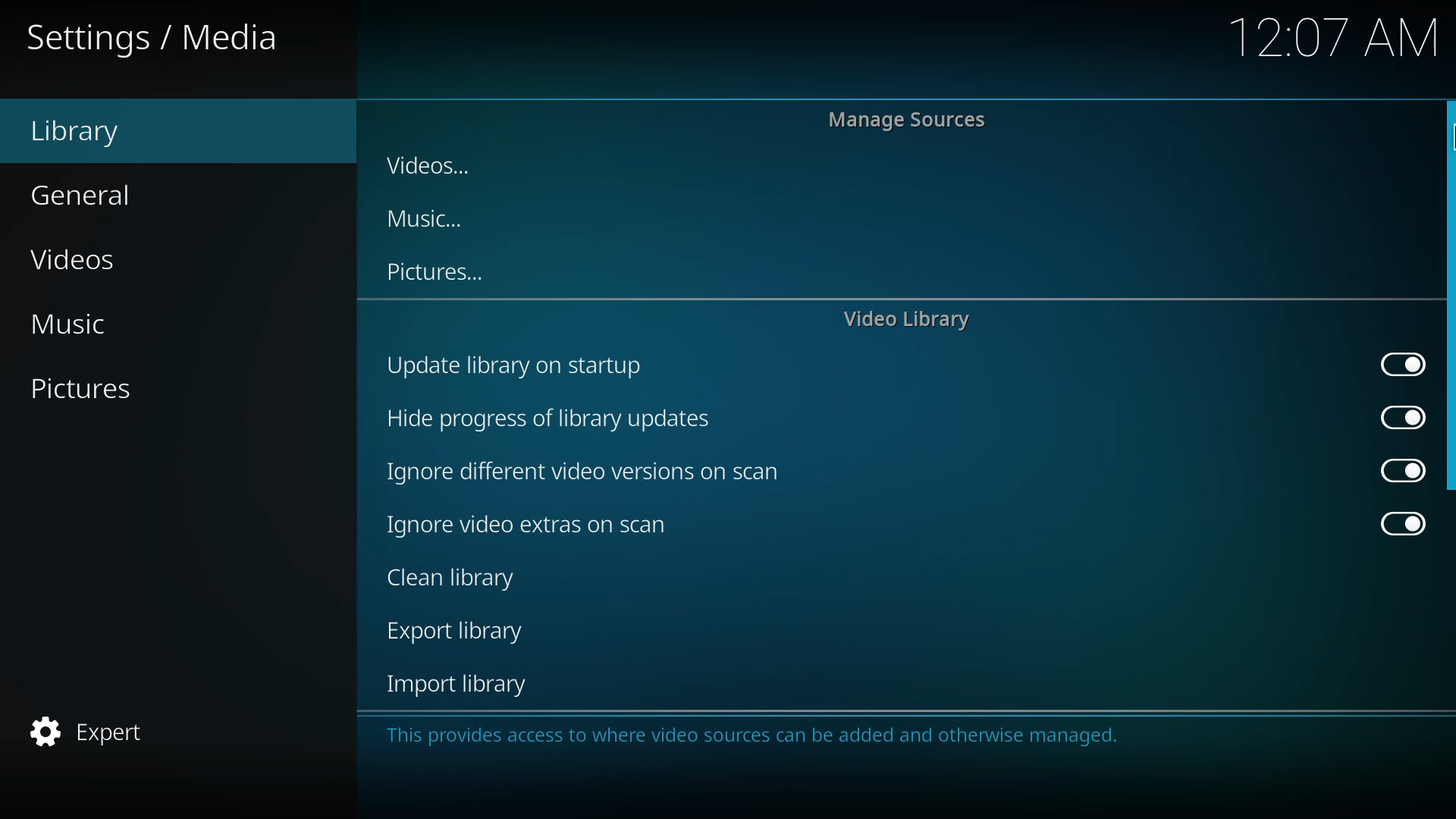 This screenshot has width=1456, height=819. Describe the element at coordinates (82, 196) in the screenshot. I see `general` at that location.